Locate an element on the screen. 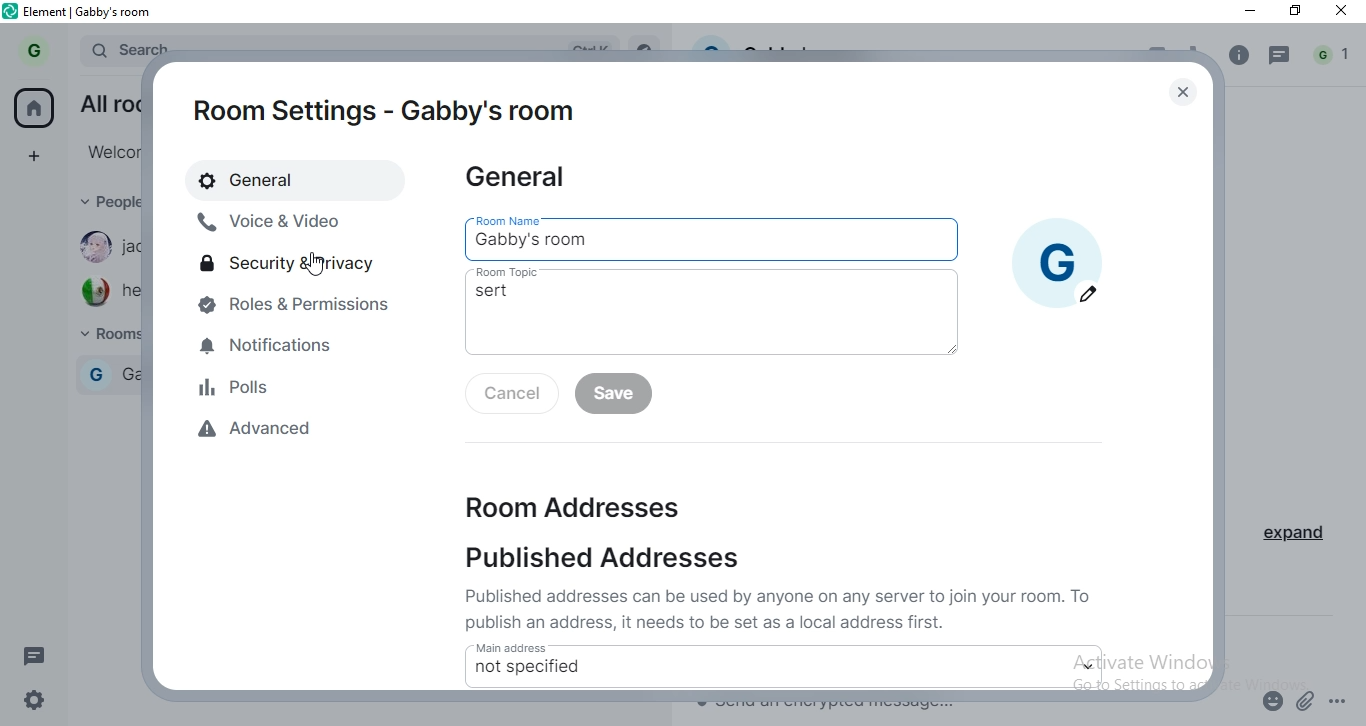 This screenshot has width=1366, height=726. settings is located at coordinates (40, 697).